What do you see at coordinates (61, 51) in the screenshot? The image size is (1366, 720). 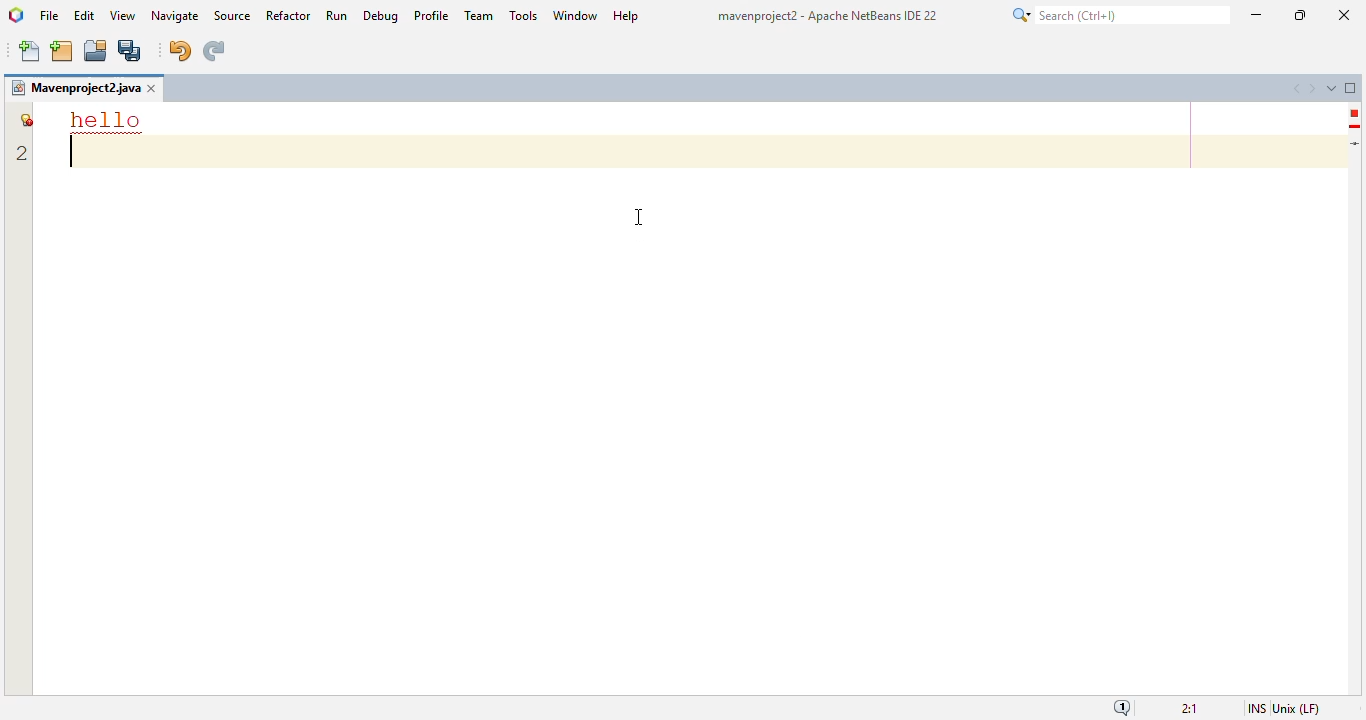 I see `new project` at bounding box center [61, 51].